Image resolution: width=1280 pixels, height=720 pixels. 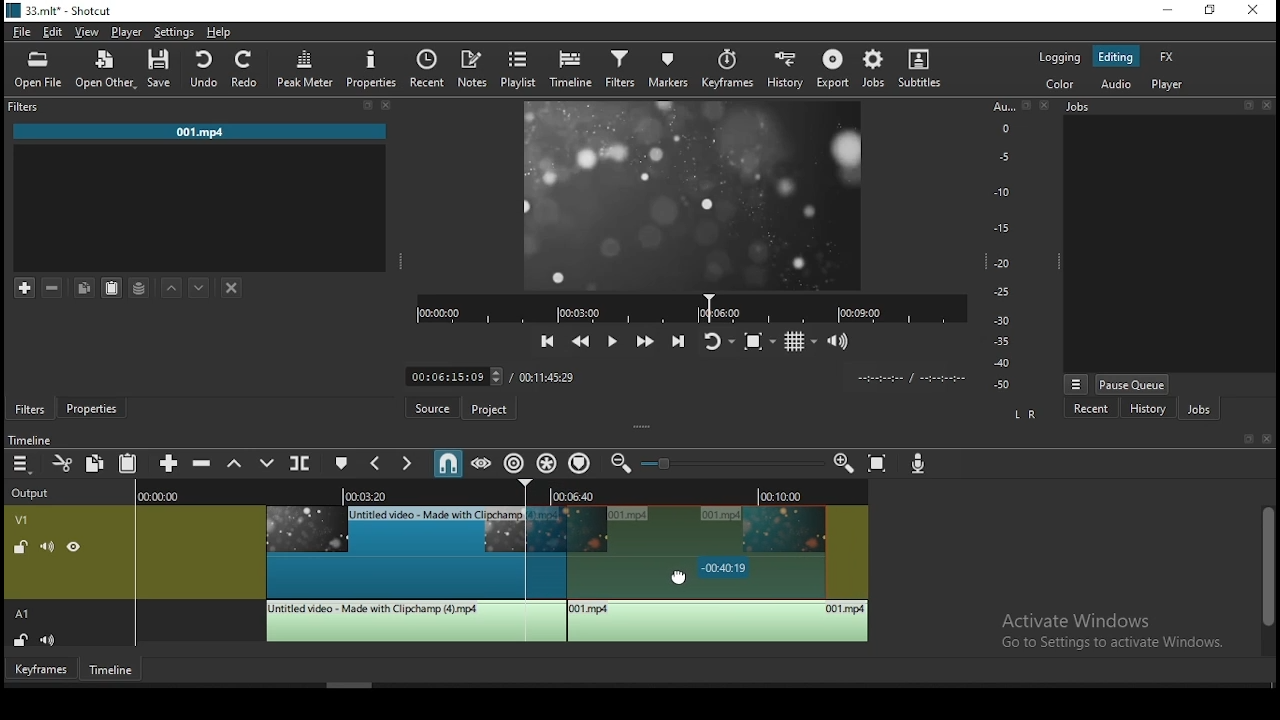 What do you see at coordinates (27, 288) in the screenshot?
I see `add a filter` at bounding box center [27, 288].